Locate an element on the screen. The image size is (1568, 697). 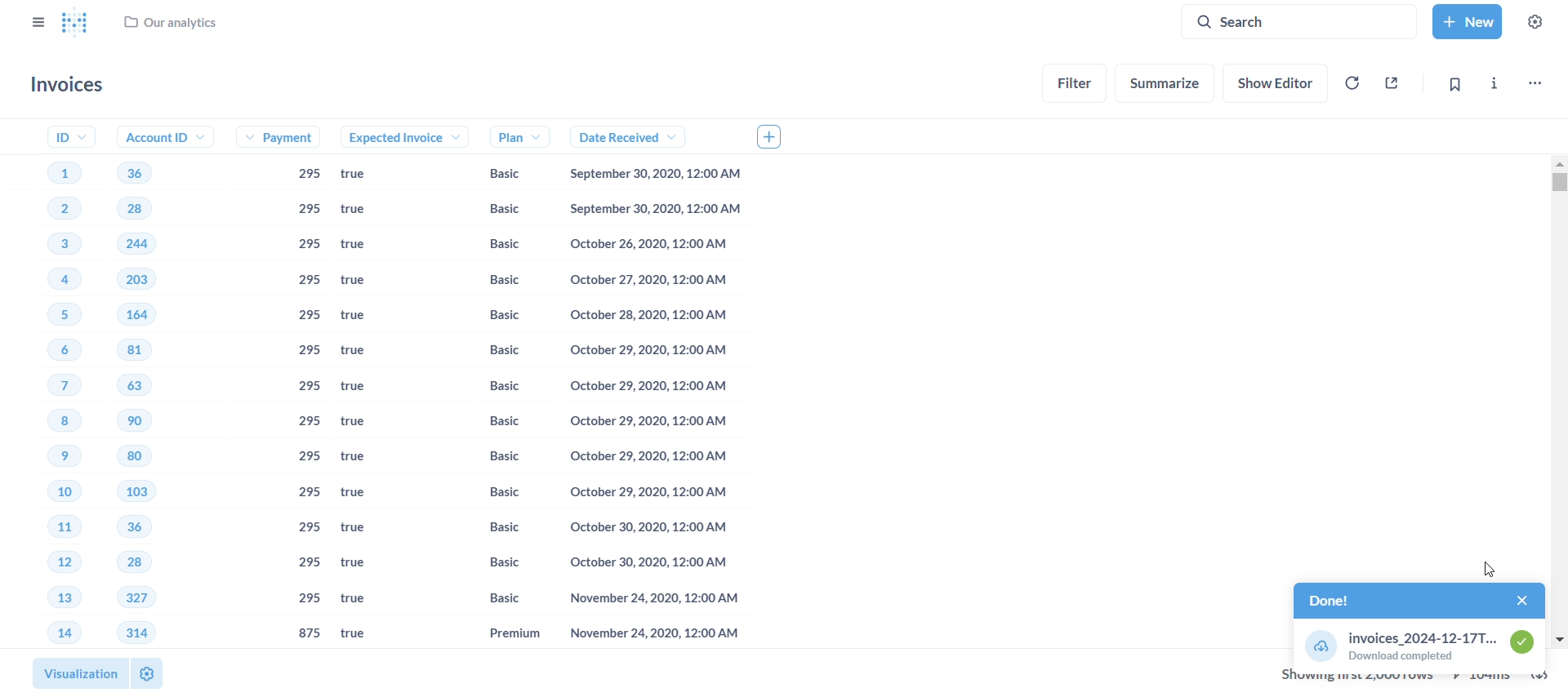
7 is located at coordinates (47, 386).